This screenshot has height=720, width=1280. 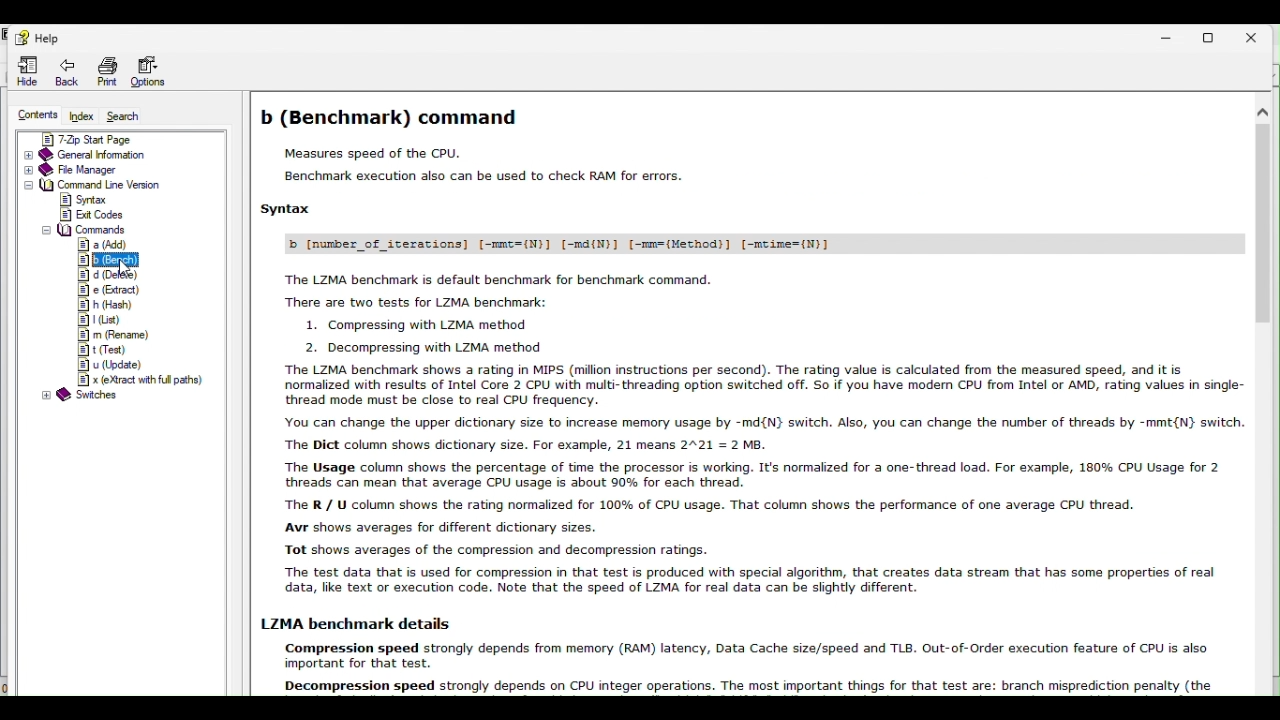 I want to click on exit, so click(x=96, y=216).